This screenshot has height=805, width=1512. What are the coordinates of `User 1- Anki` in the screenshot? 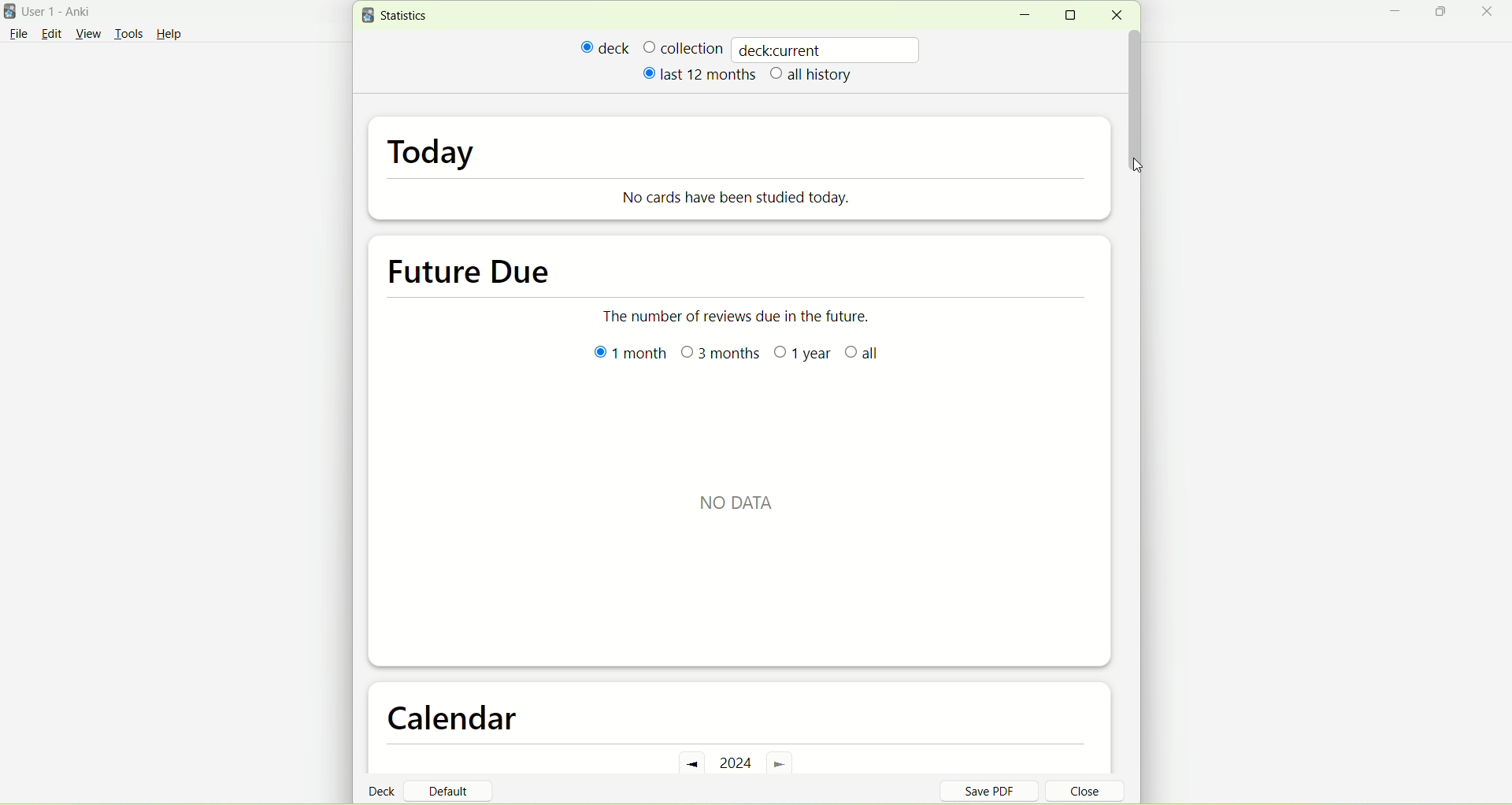 It's located at (67, 14).